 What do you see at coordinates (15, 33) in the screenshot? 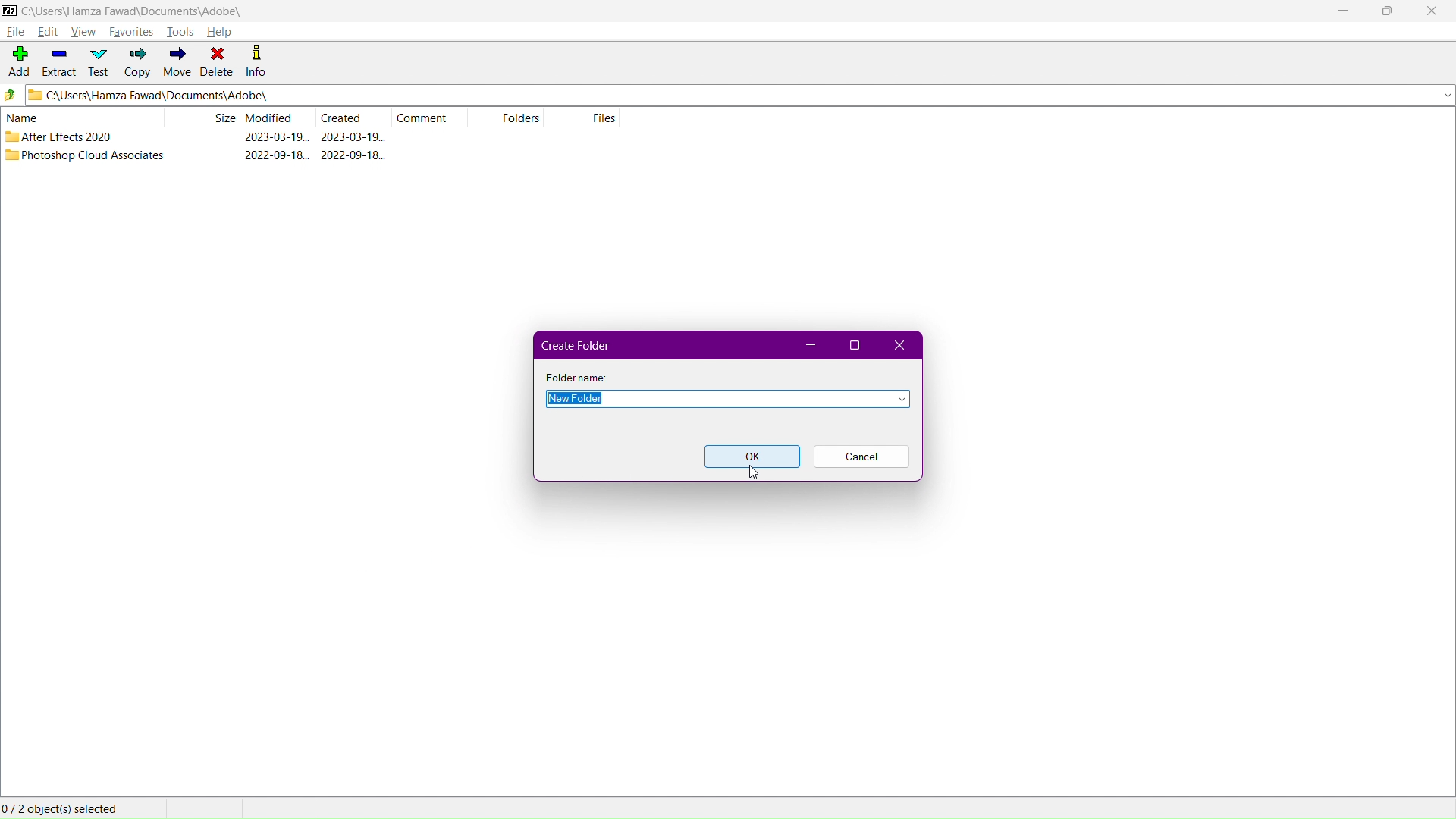
I see `File` at bounding box center [15, 33].